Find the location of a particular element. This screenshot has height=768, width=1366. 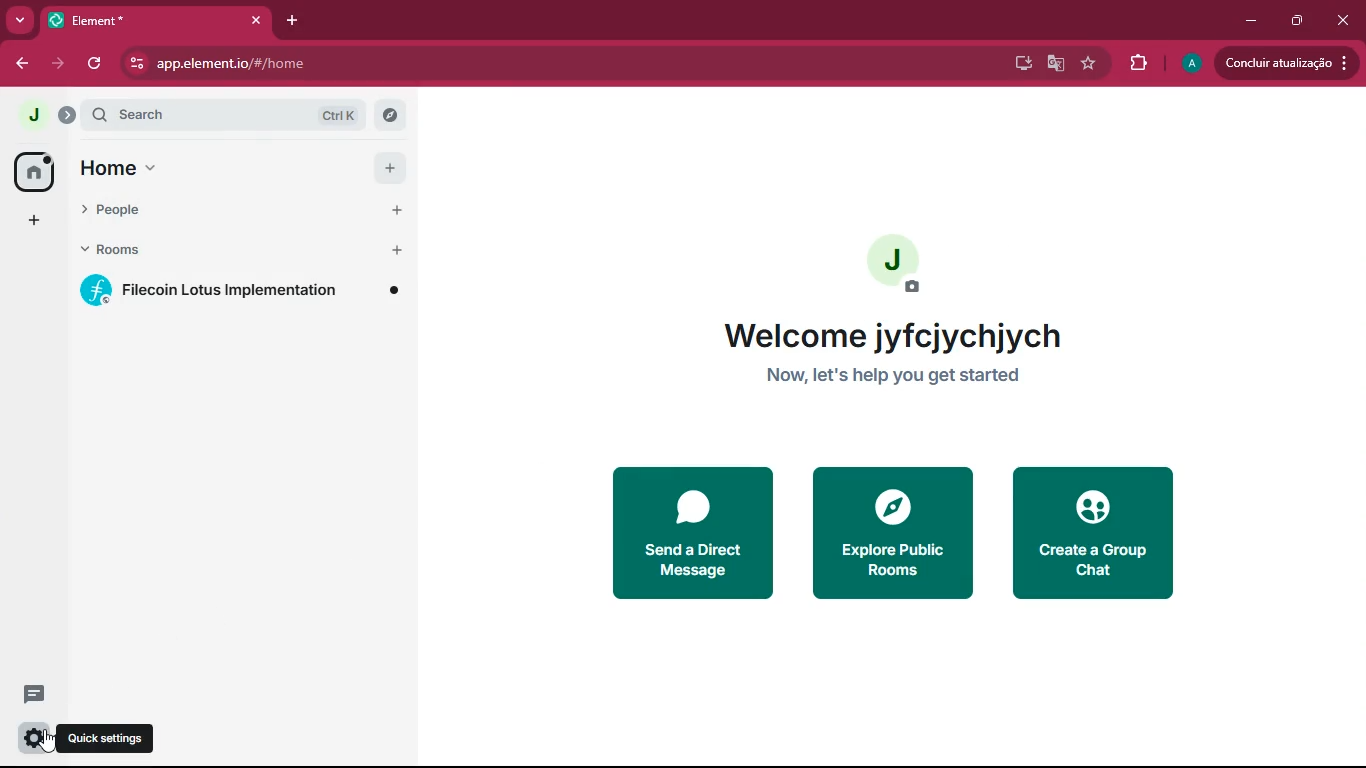

conversations is located at coordinates (31, 694).